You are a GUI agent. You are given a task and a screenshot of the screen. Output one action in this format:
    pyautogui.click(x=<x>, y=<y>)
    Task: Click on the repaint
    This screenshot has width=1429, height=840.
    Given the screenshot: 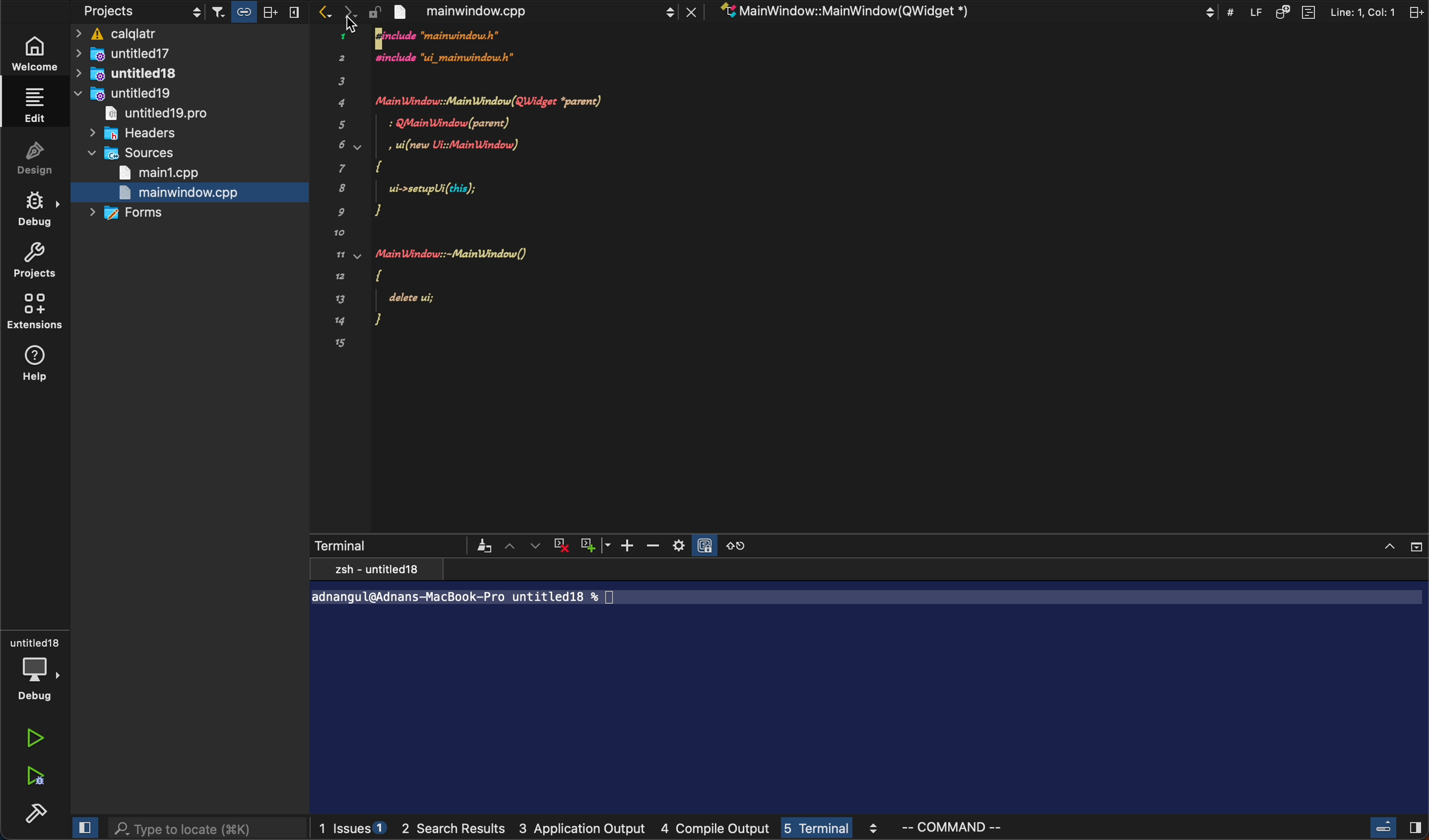 What is the action you would take?
    pyautogui.click(x=484, y=546)
    